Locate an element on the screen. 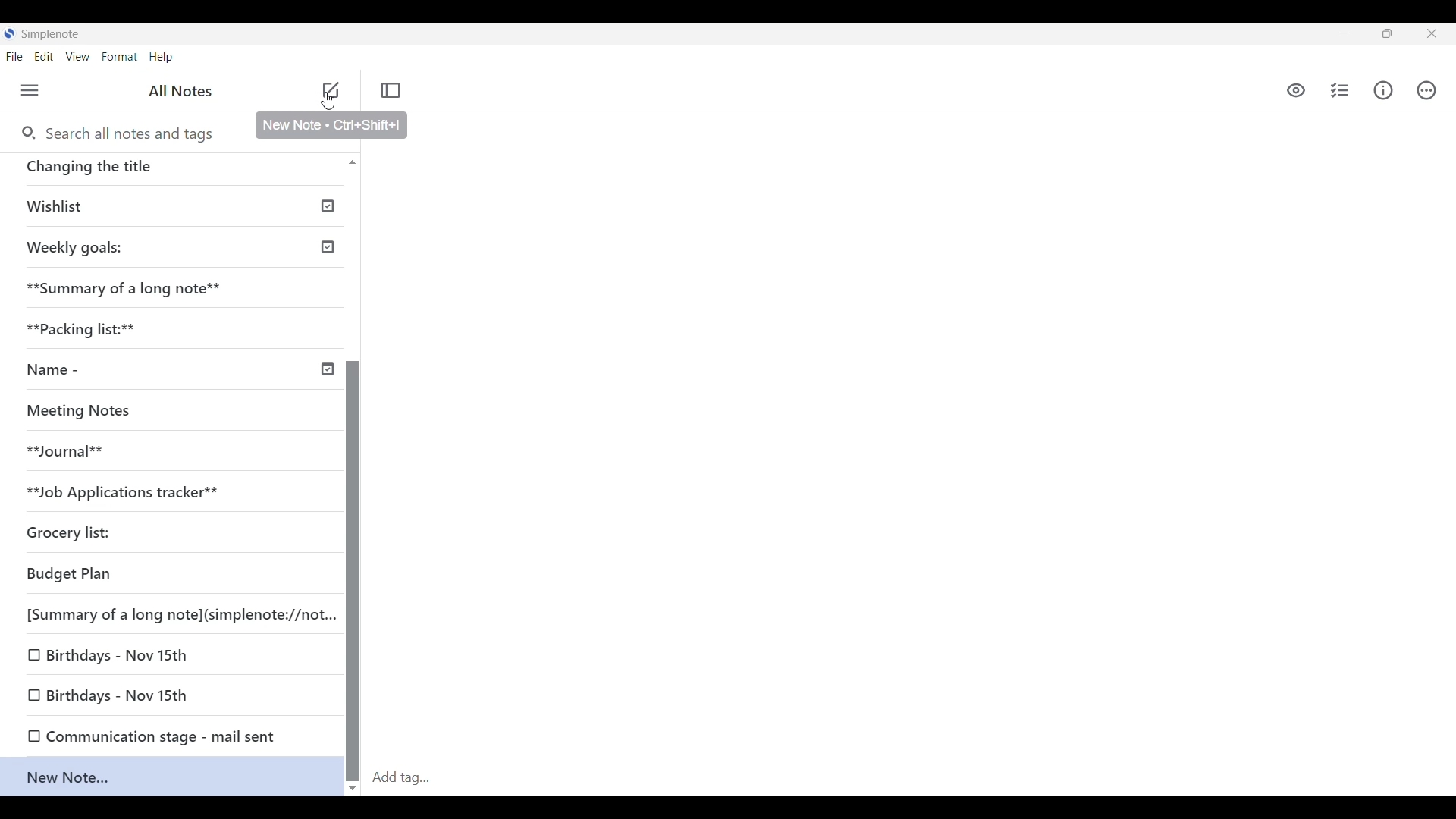  Checkbox is located at coordinates (32, 693).